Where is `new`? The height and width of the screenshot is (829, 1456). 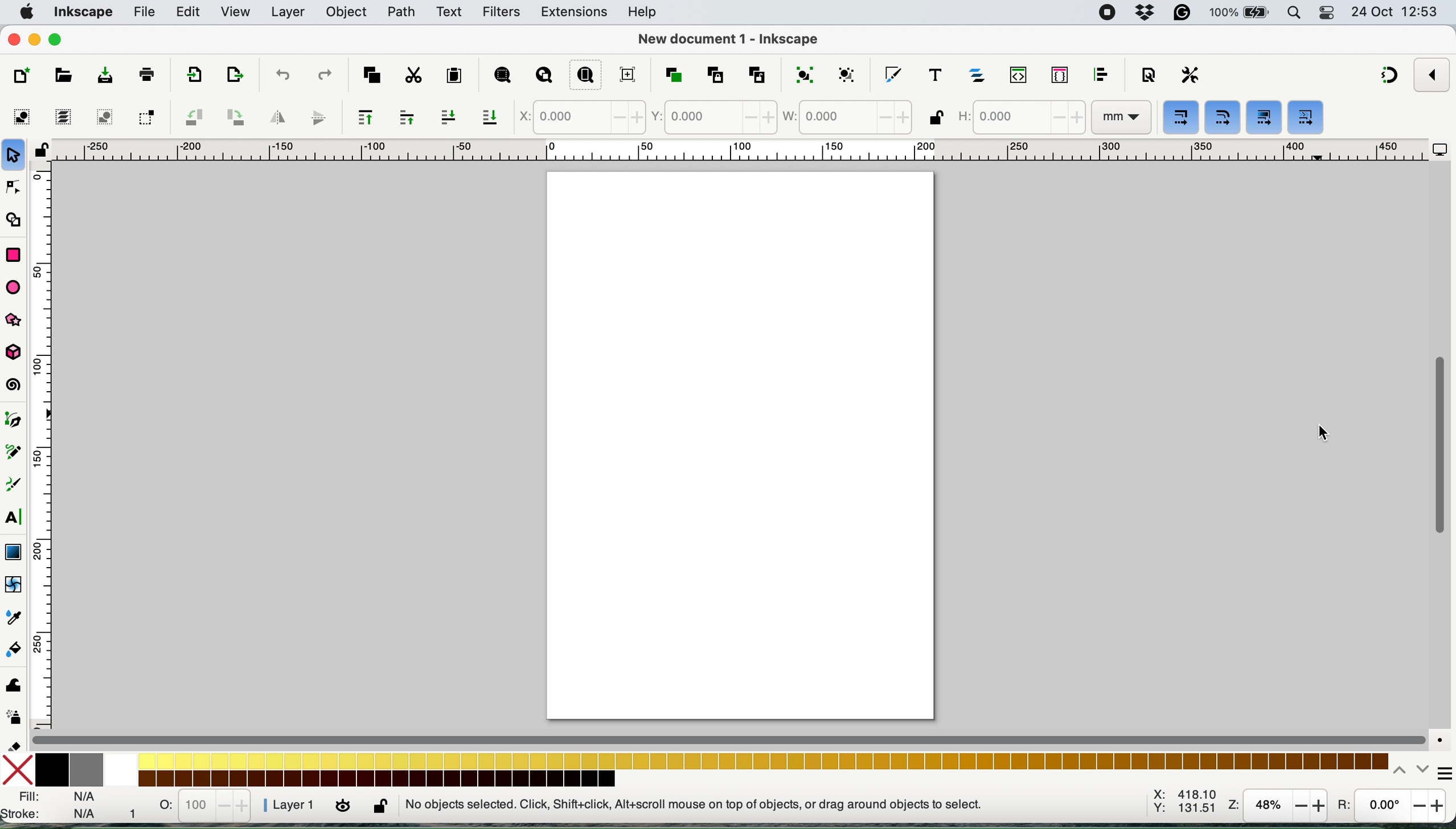
new is located at coordinates (23, 75).